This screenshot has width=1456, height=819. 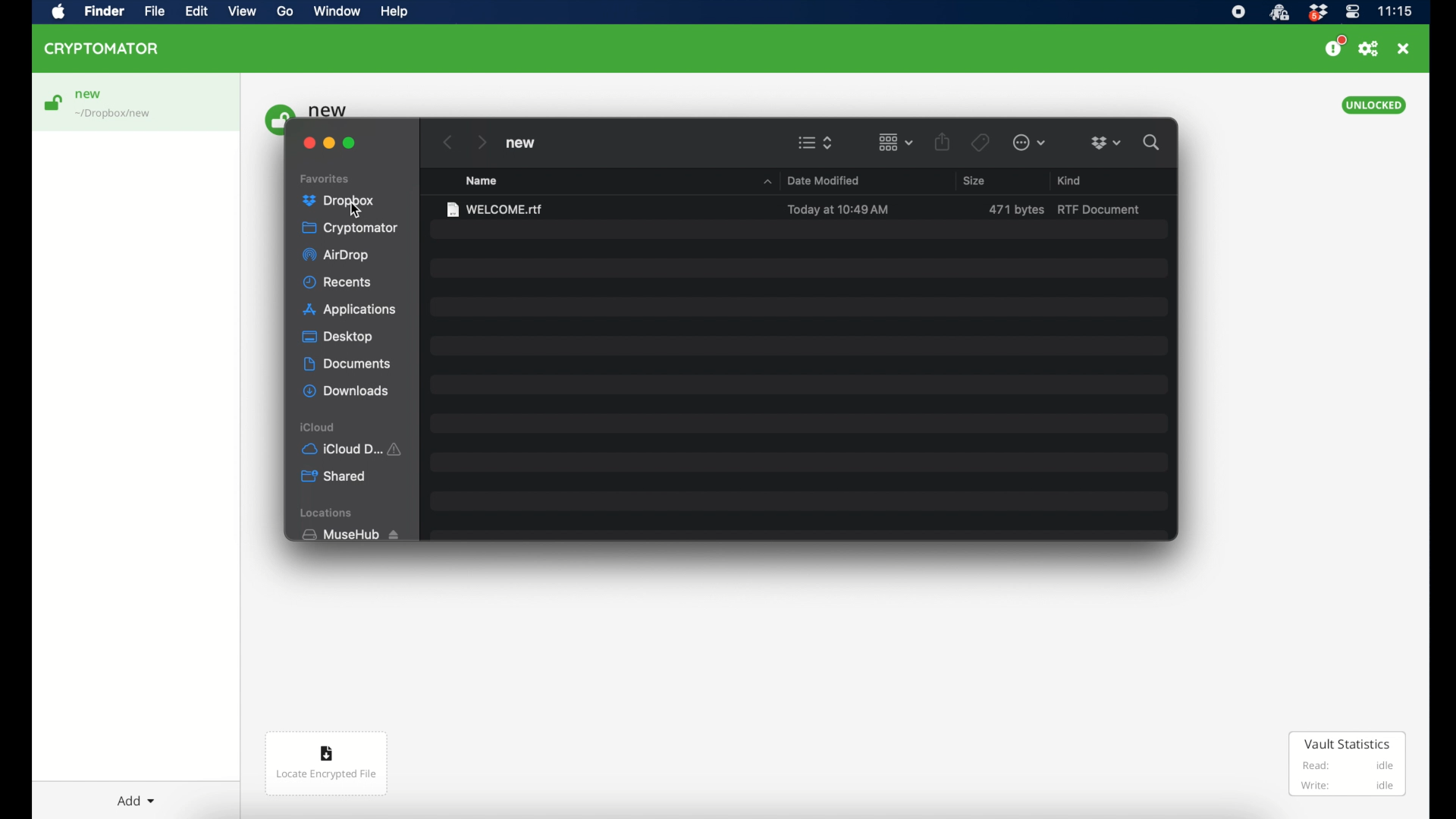 What do you see at coordinates (1403, 49) in the screenshot?
I see `close` at bounding box center [1403, 49].